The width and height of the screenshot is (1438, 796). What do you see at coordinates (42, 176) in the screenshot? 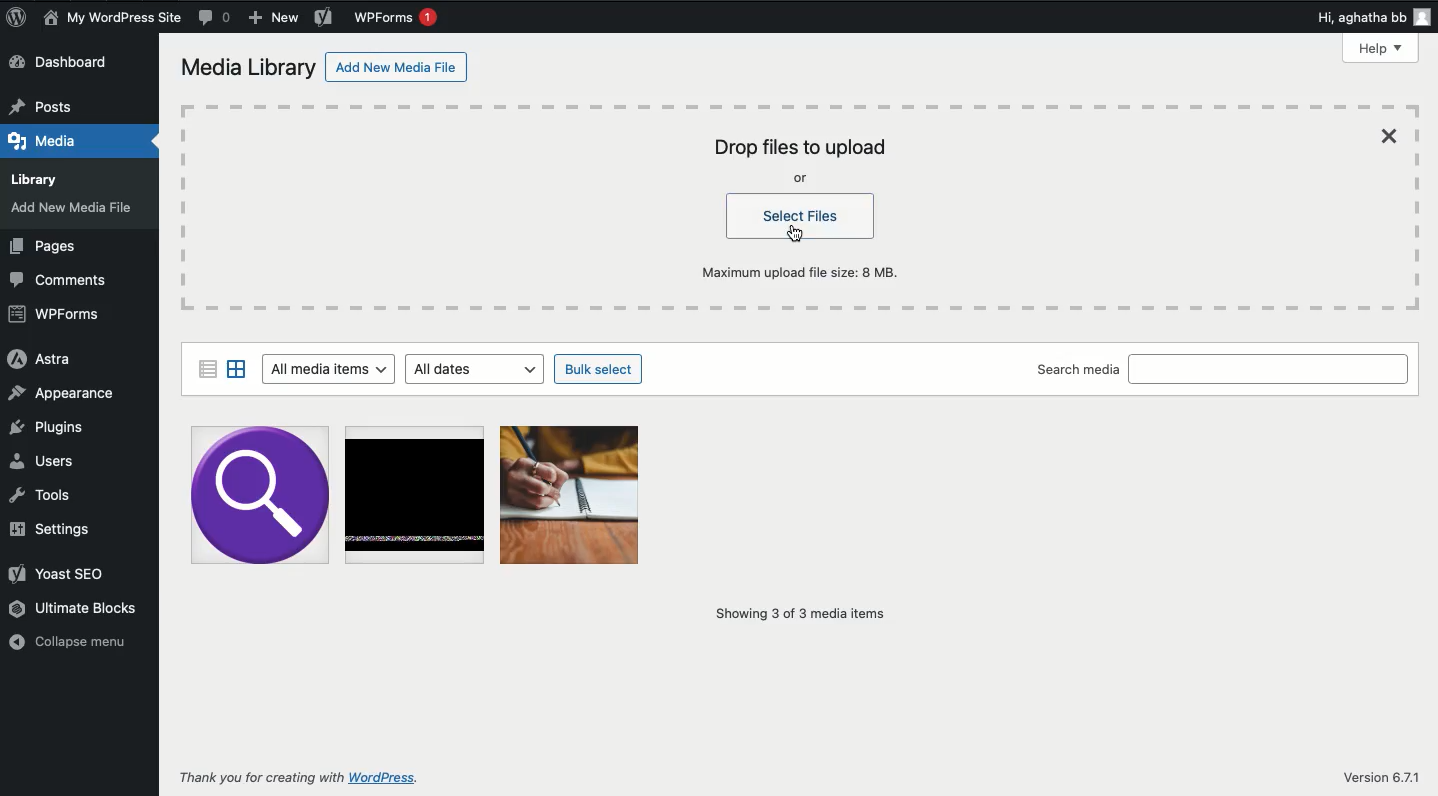
I see `Library` at bounding box center [42, 176].